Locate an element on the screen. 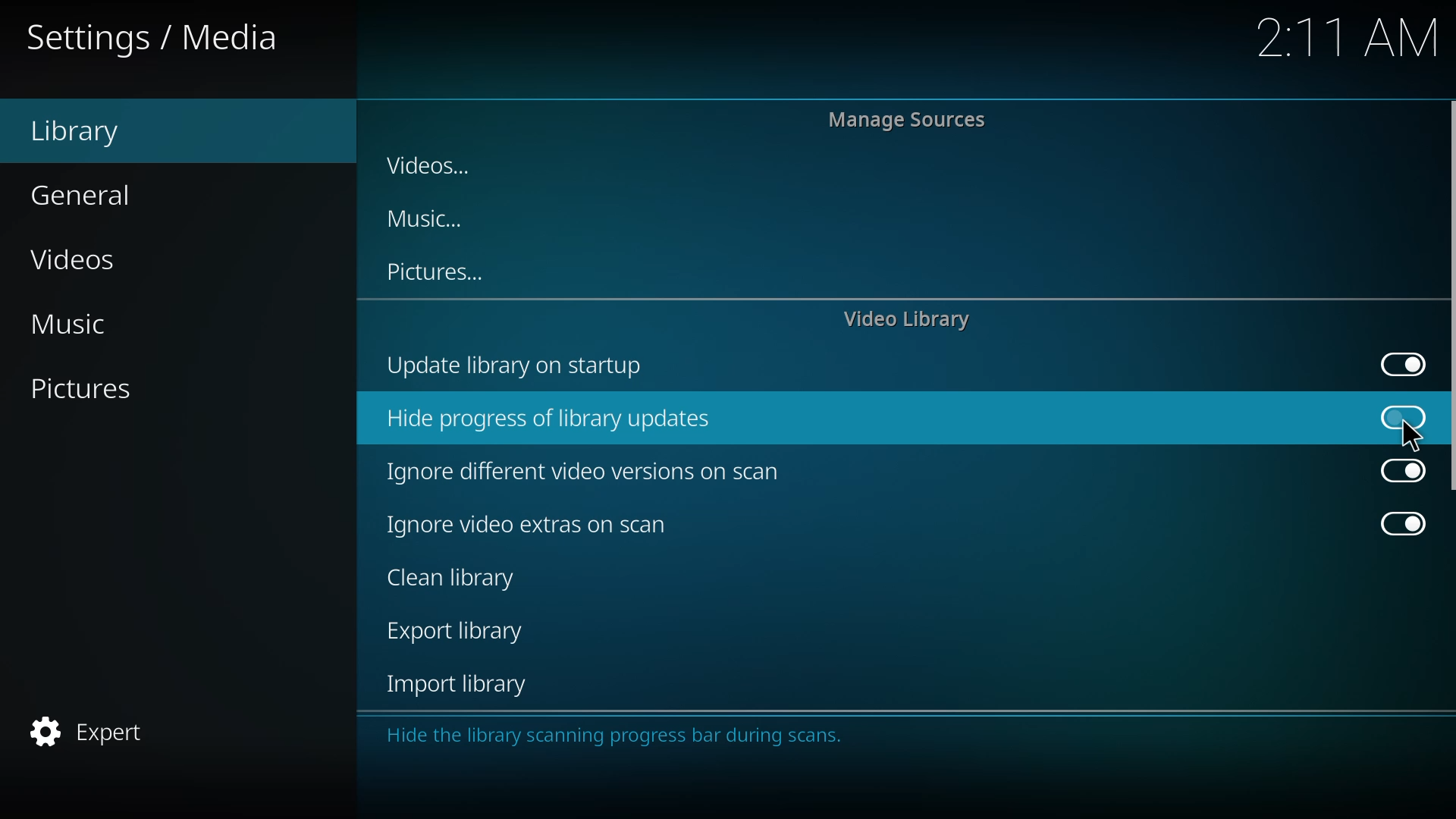 The image size is (1456, 819). manage sources is located at coordinates (913, 120).